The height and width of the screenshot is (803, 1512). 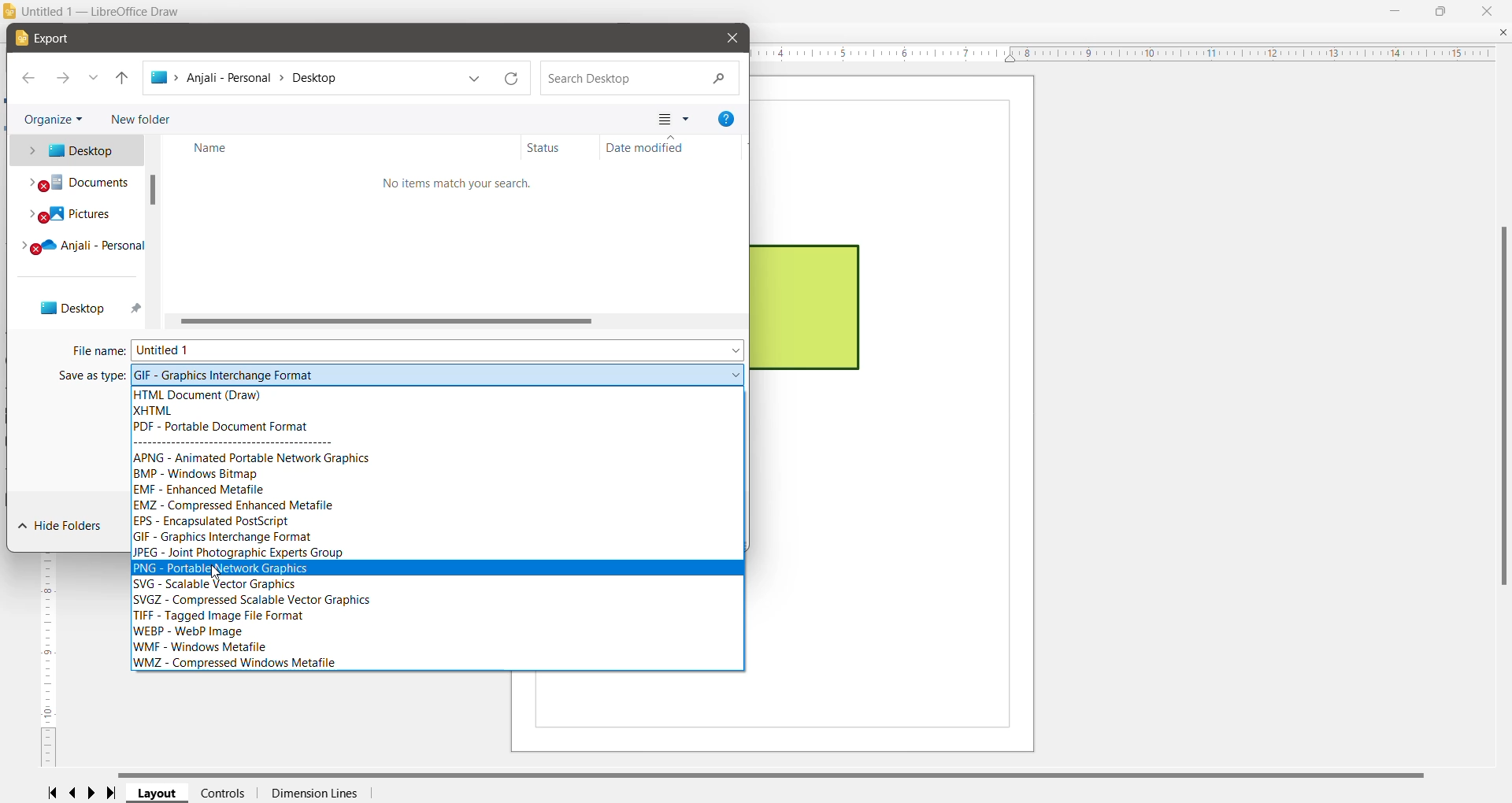 What do you see at coordinates (459, 320) in the screenshot?
I see `Horizontal Scroll Bar` at bounding box center [459, 320].